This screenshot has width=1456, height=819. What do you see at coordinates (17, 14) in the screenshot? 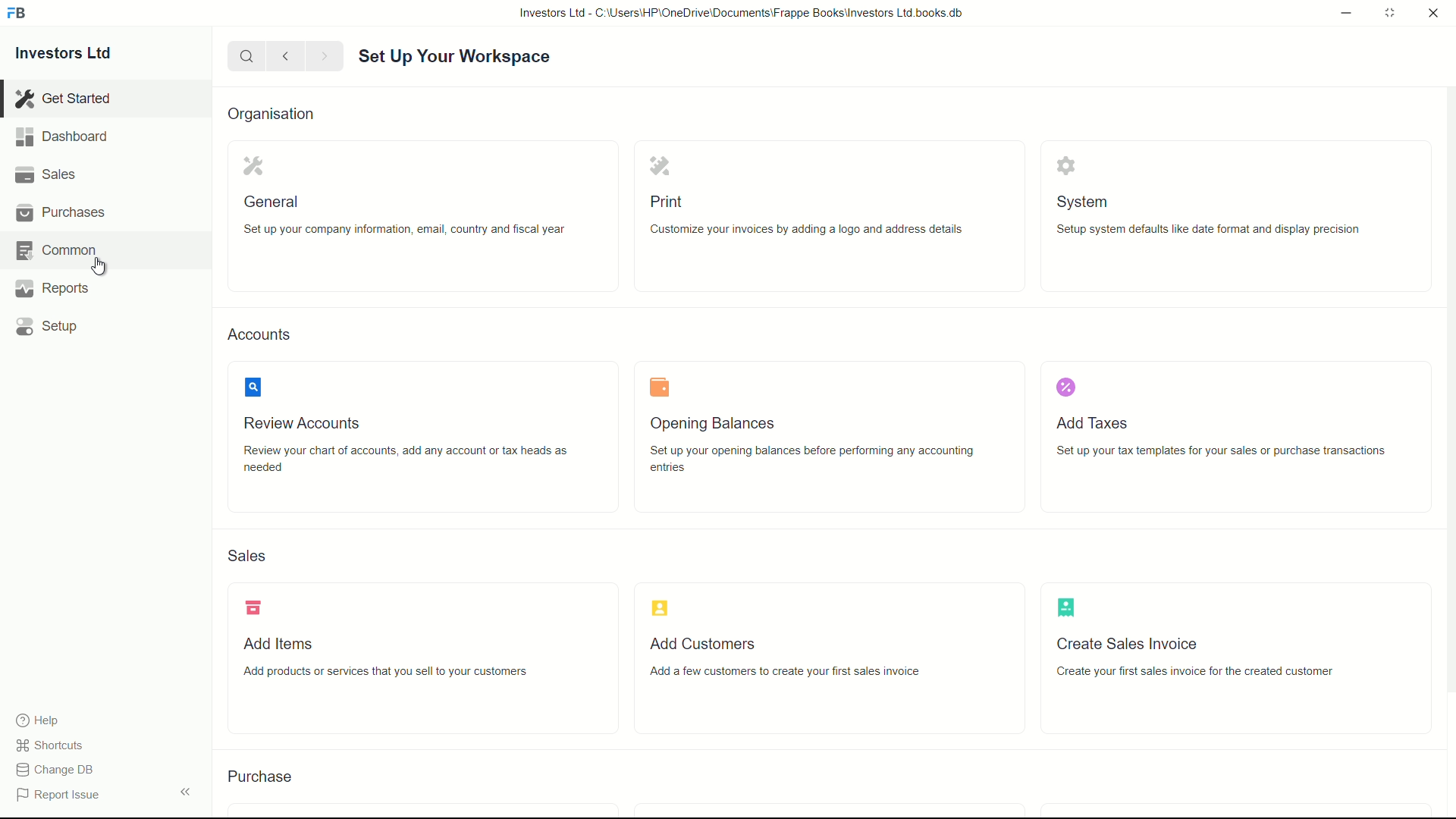
I see `FrappeBooks logo` at bounding box center [17, 14].